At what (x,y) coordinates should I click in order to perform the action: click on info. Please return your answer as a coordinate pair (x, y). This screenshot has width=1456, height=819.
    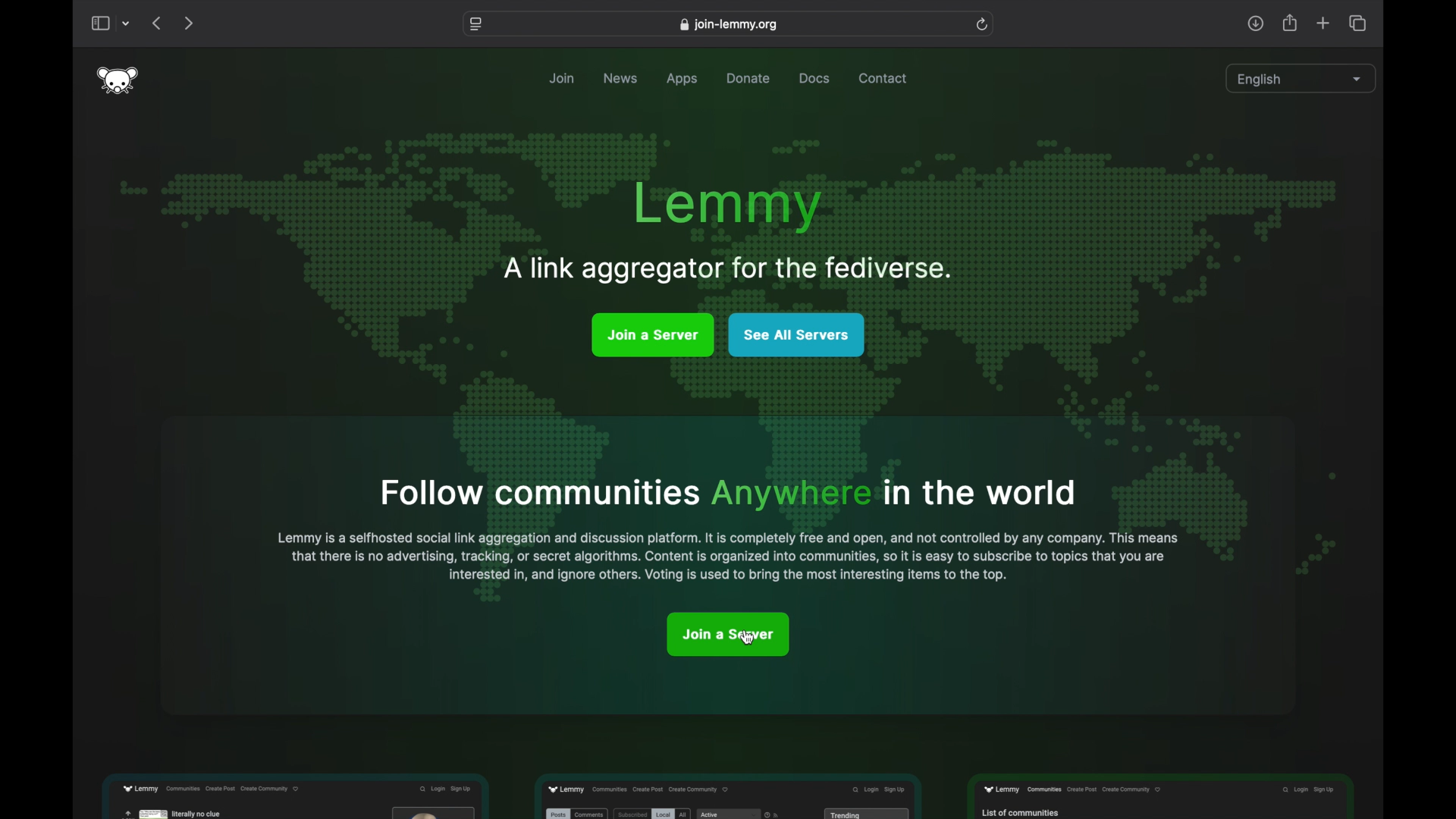
    Looking at the image, I should click on (729, 494).